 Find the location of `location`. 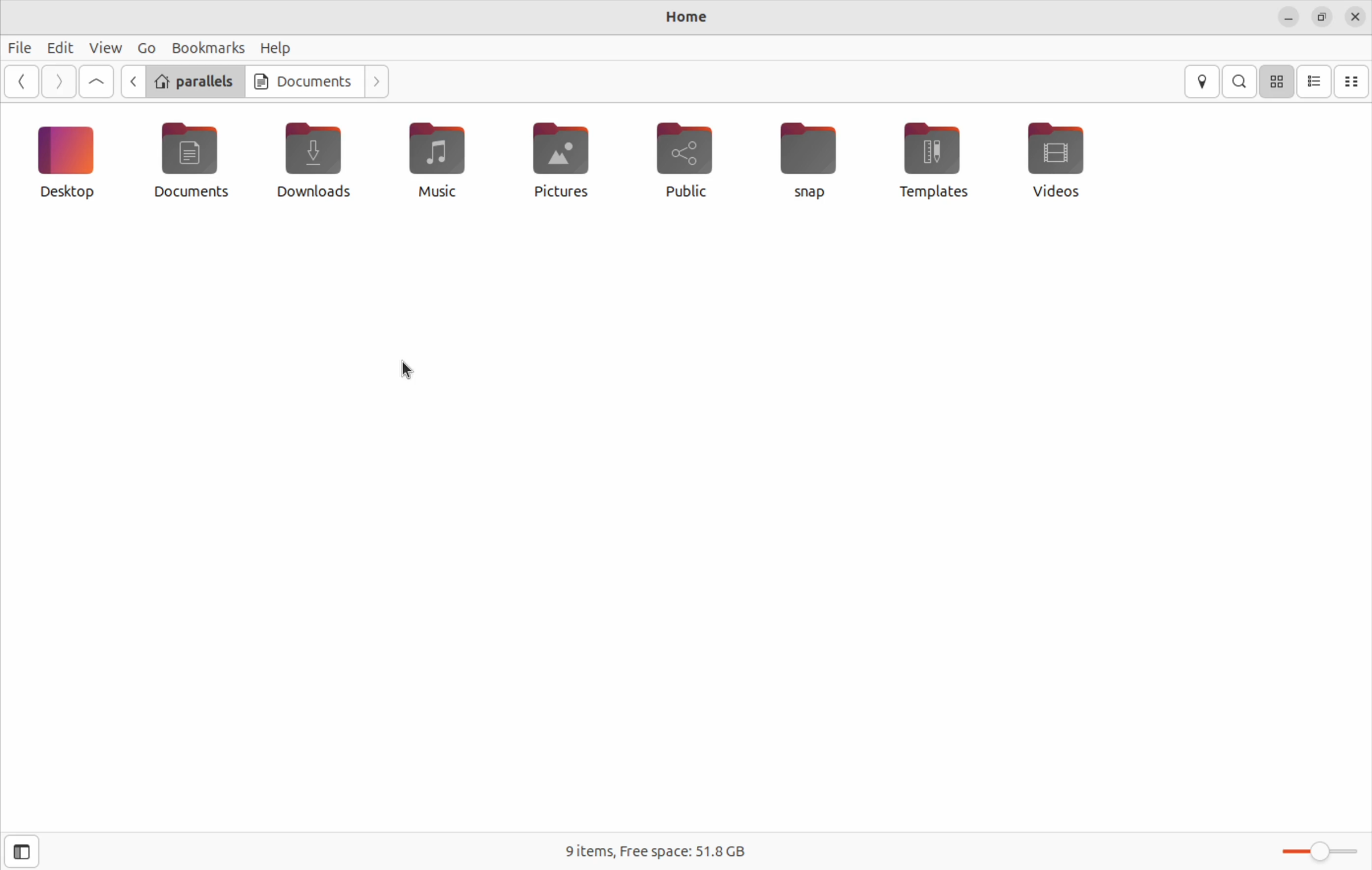

location is located at coordinates (1203, 82).